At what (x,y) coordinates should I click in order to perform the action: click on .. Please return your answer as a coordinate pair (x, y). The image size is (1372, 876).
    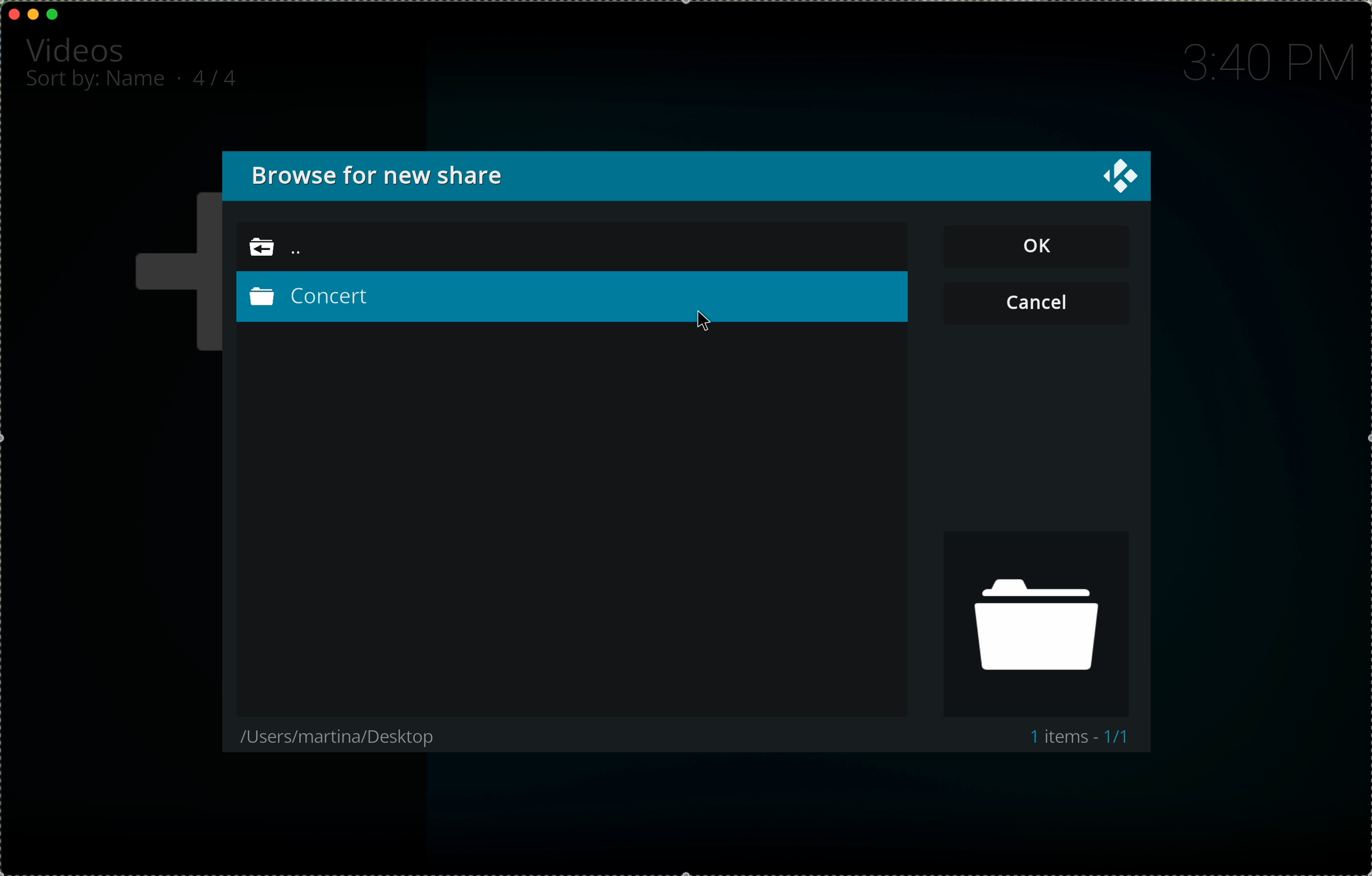
    Looking at the image, I should click on (182, 77).